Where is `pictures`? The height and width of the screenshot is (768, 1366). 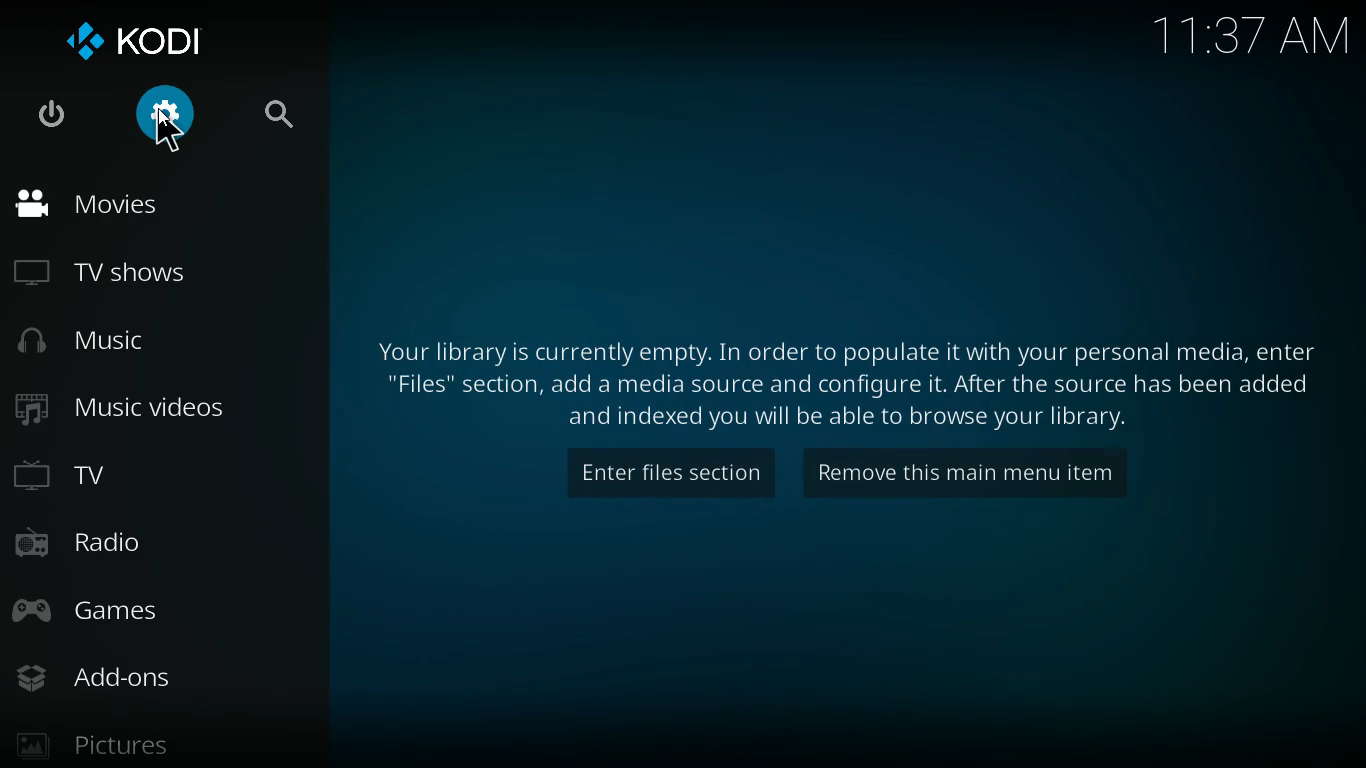
pictures is located at coordinates (120, 747).